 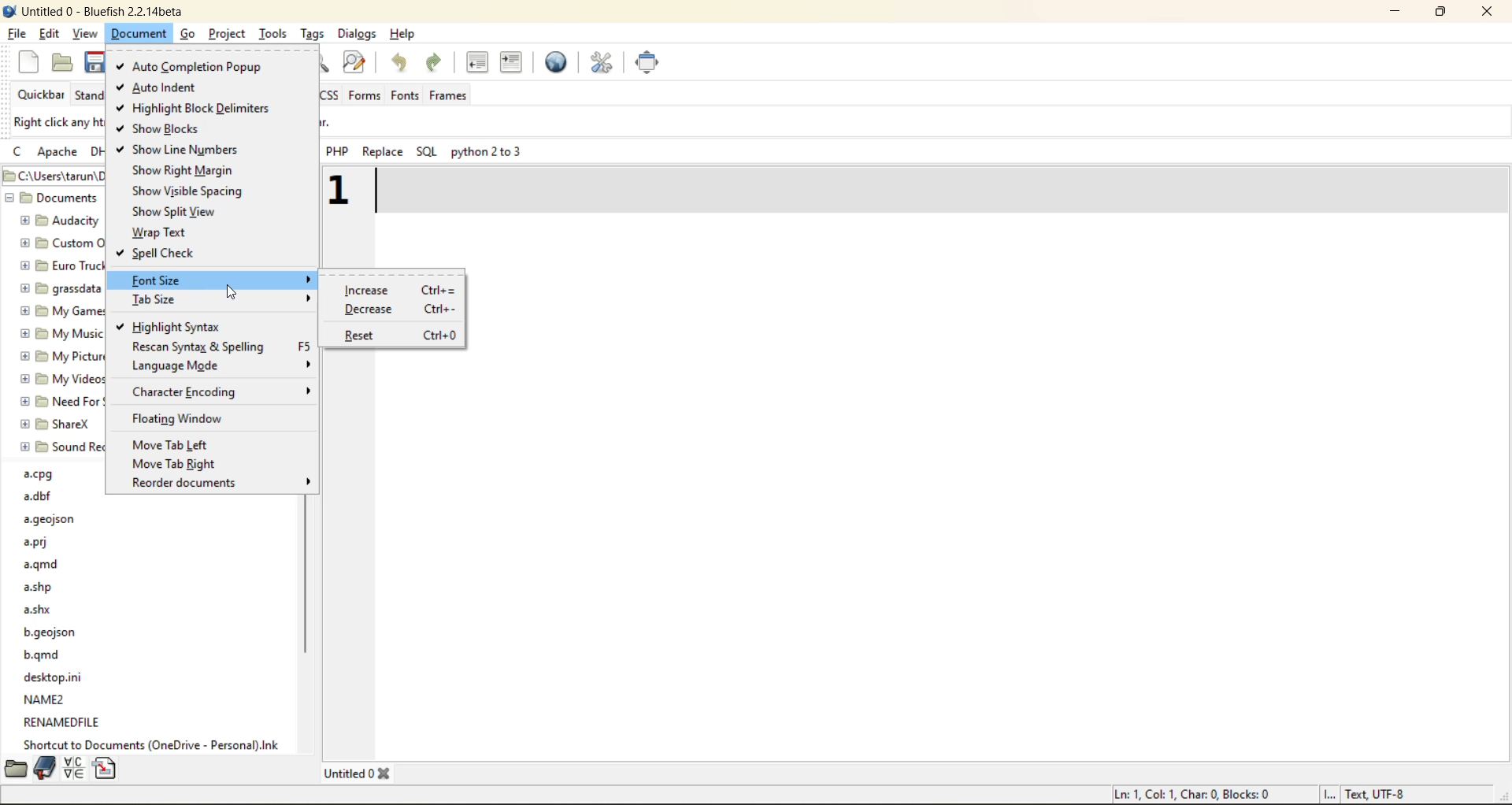 I want to click on show split view, so click(x=174, y=212).